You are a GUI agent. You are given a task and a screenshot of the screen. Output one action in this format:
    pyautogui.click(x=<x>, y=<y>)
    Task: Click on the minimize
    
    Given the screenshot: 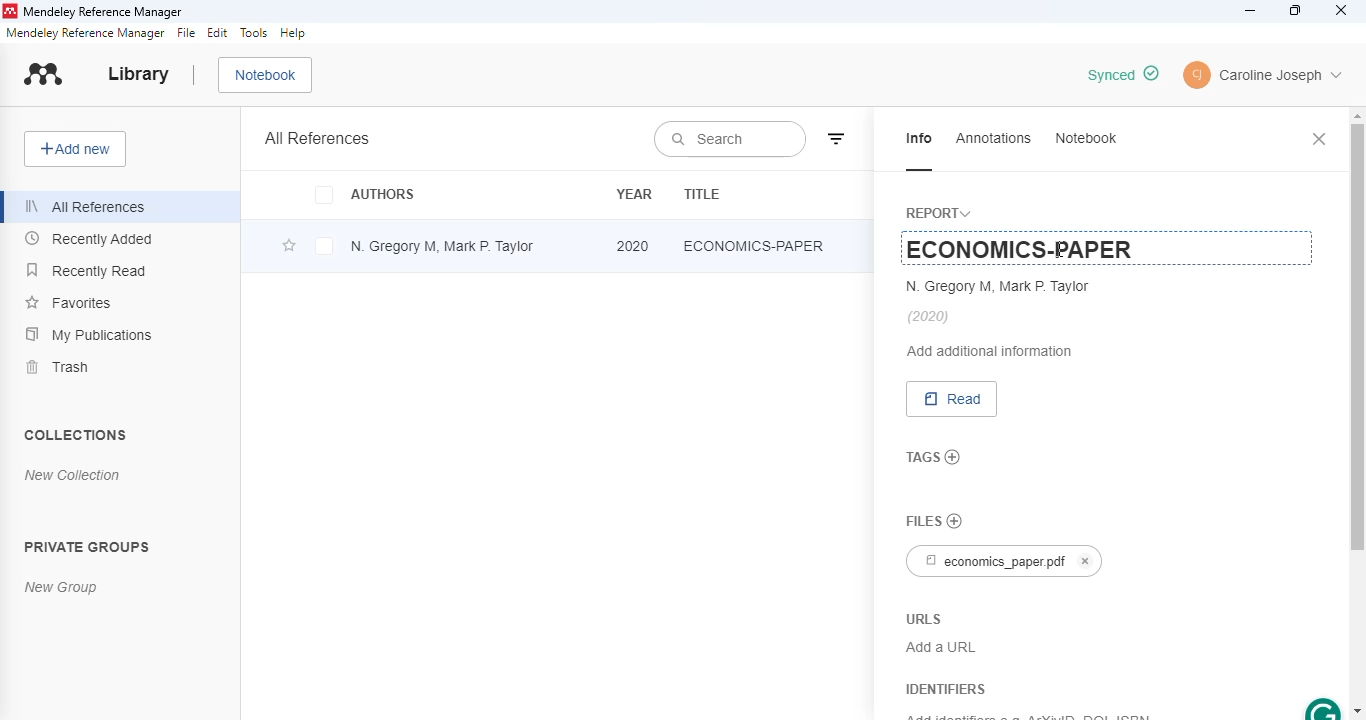 What is the action you would take?
    pyautogui.click(x=1252, y=11)
    